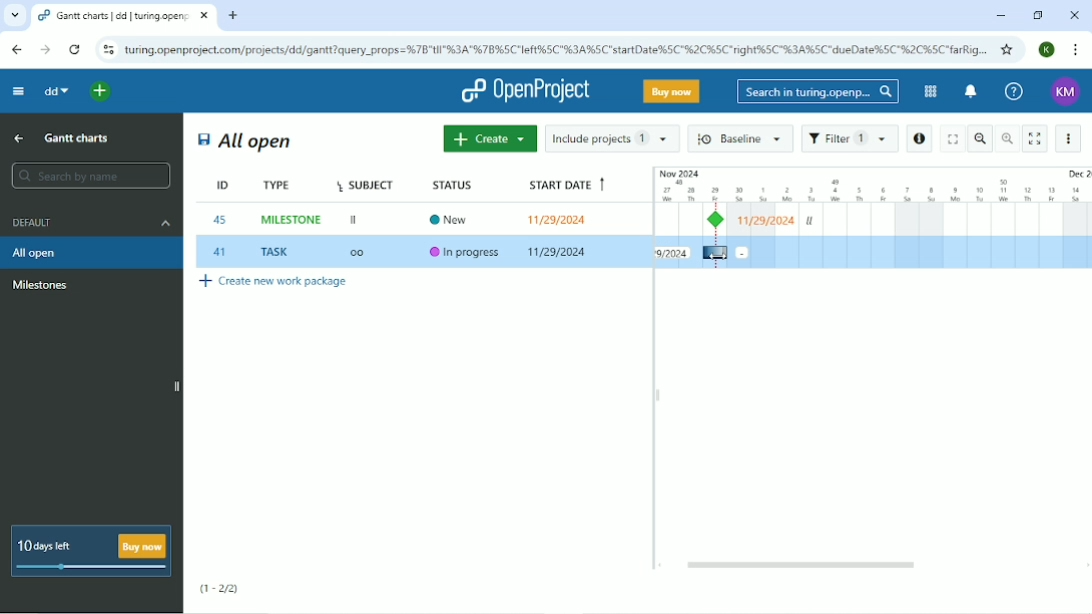 This screenshot has height=614, width=1092. Describe the element at coordinates (41, 285) in the screenshot. I see `Milestone` at that location.